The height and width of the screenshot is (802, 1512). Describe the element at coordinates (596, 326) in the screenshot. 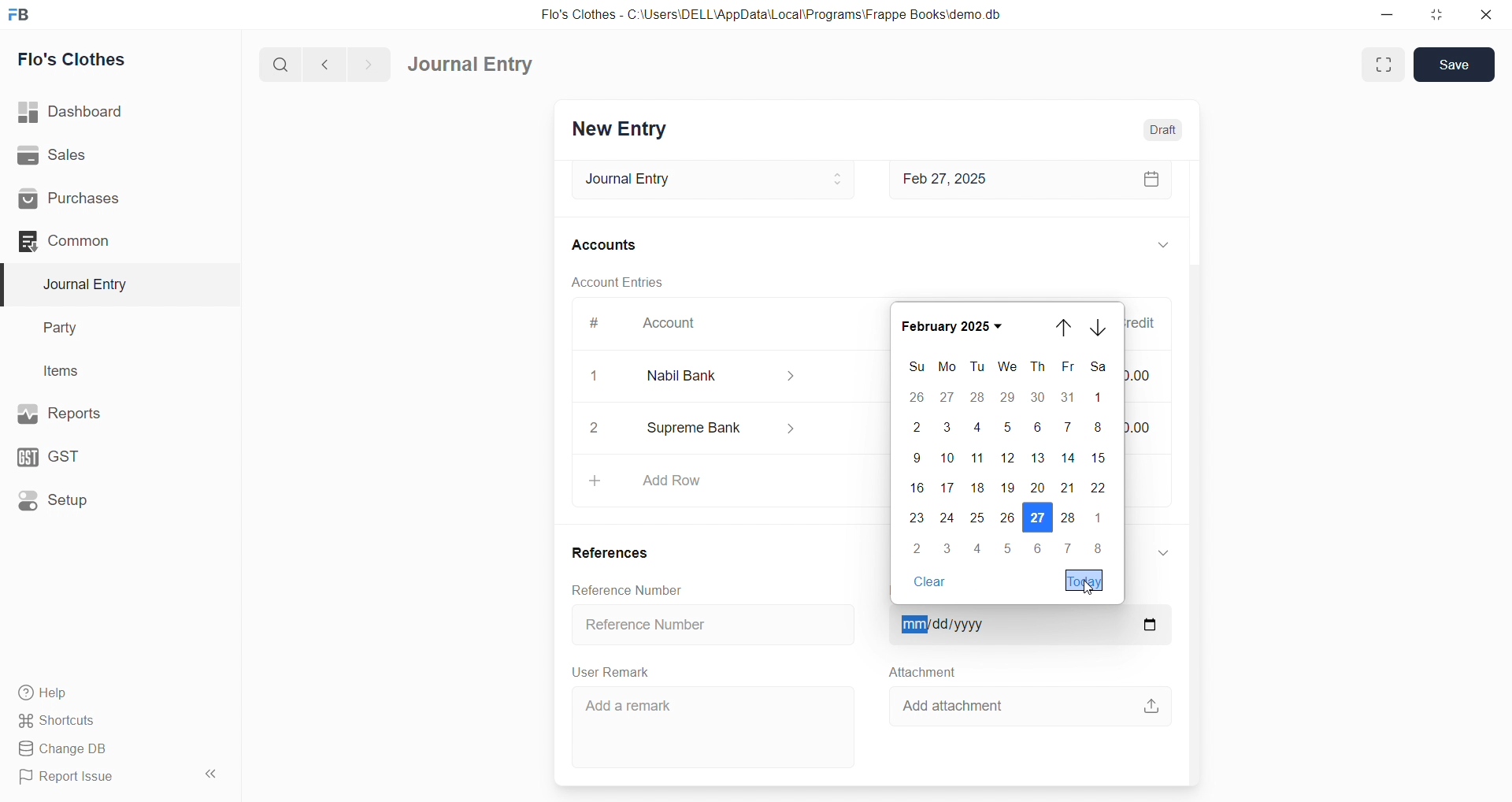

I see `#` at that location.